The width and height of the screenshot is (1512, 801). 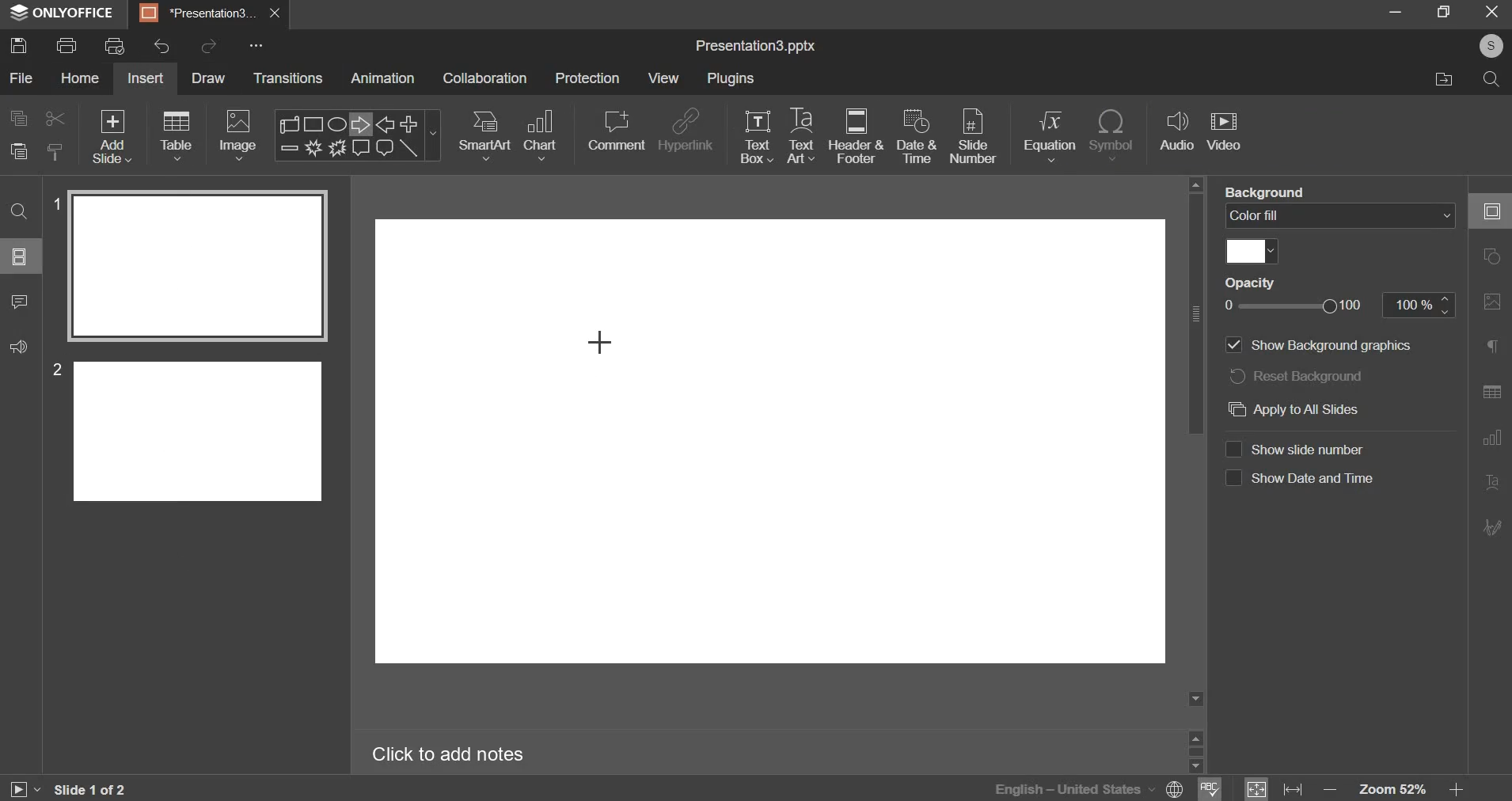 I want to click on customize quick access, so click(x=256, y=45).